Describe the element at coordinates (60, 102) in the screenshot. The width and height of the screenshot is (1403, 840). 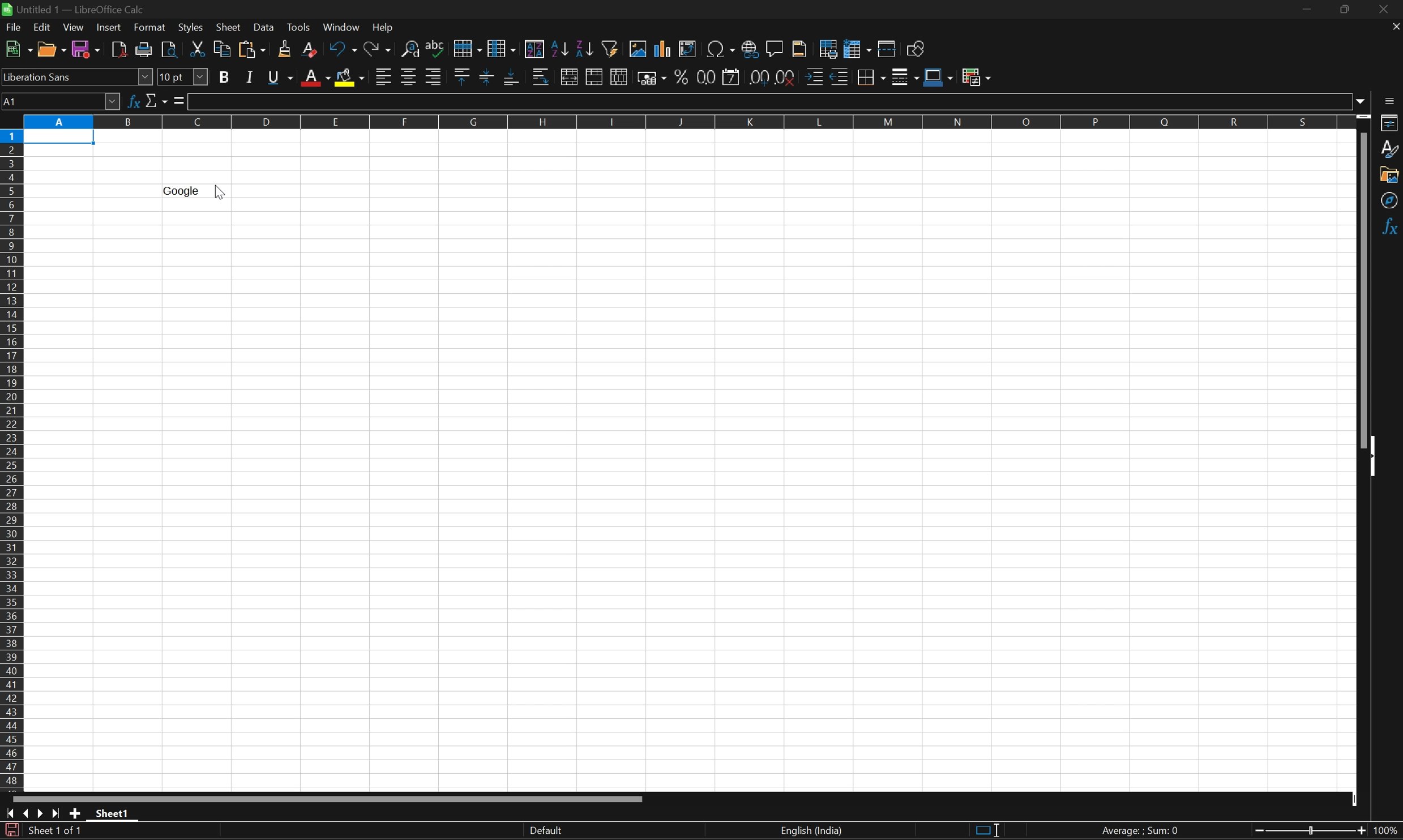
I see `Name box` at that location.